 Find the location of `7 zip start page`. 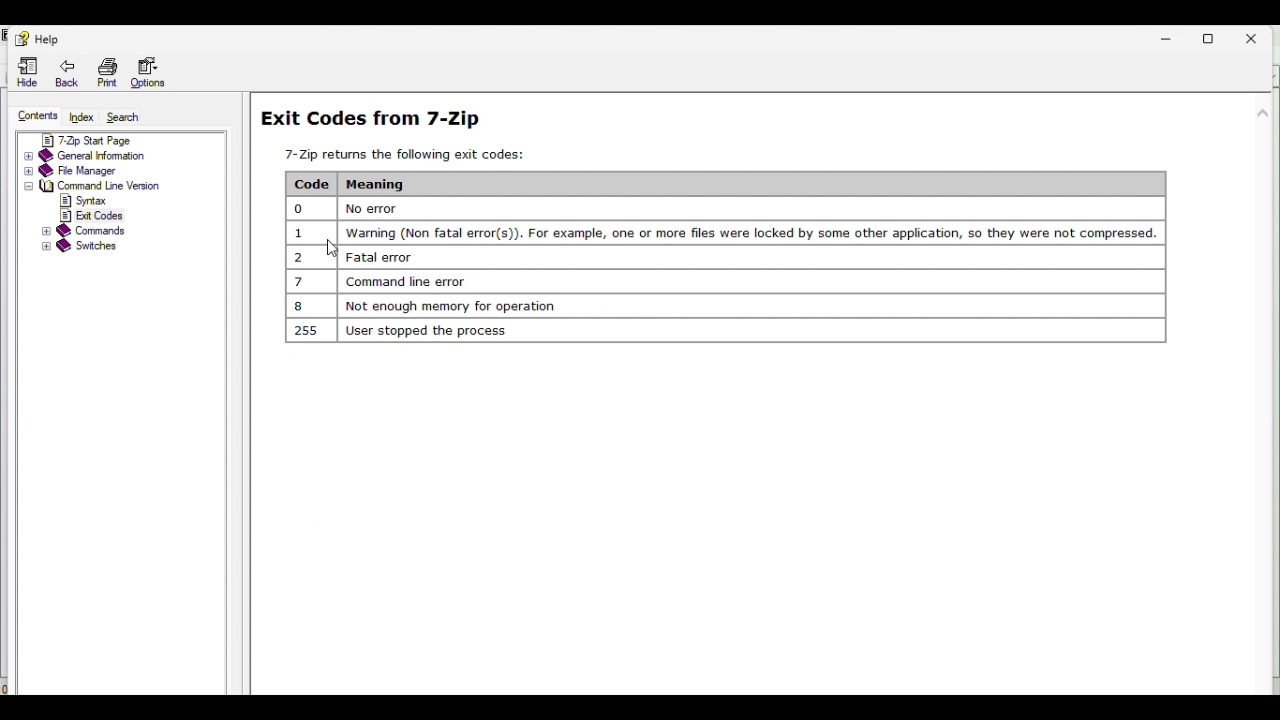

7 zip start page is located at coordinates (103, 138).